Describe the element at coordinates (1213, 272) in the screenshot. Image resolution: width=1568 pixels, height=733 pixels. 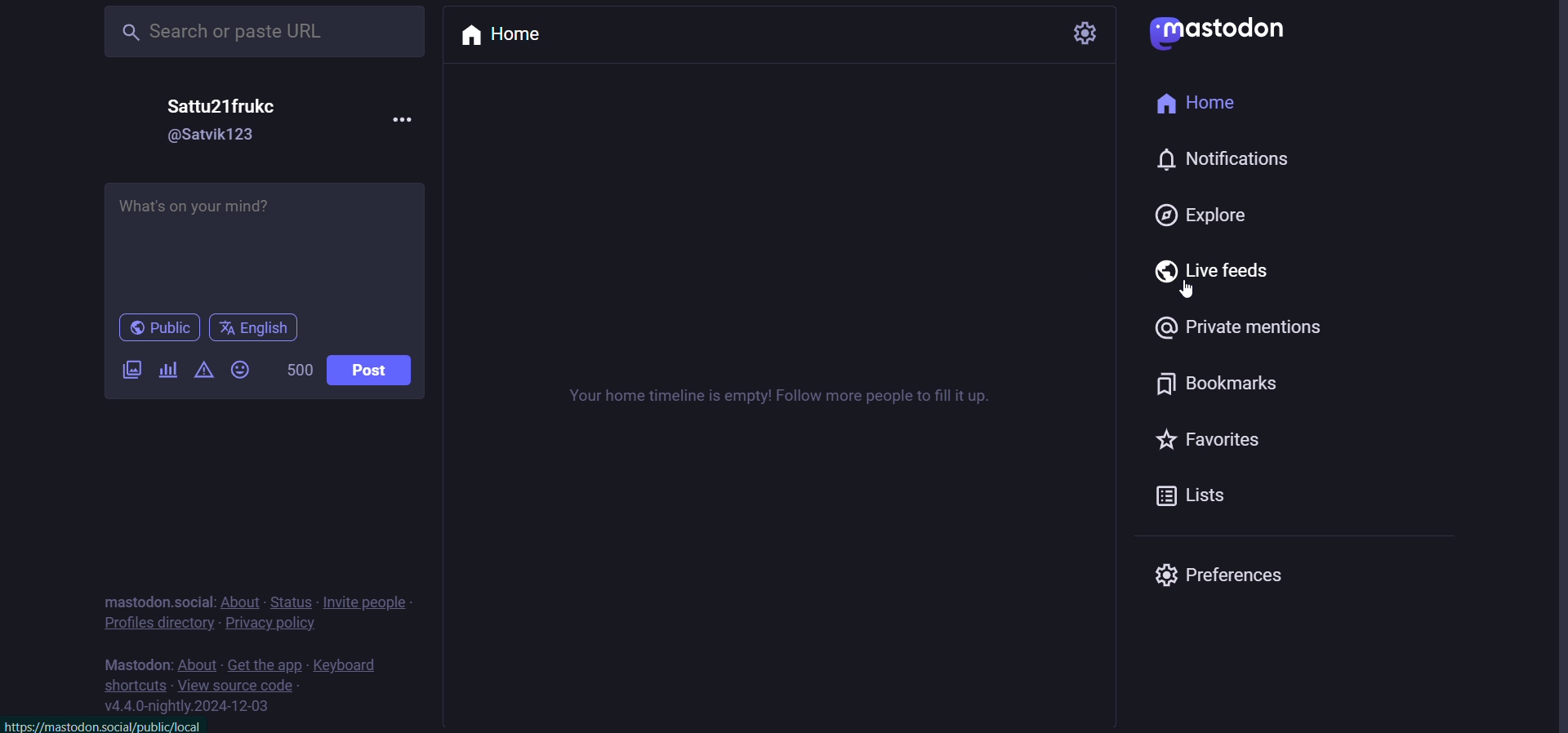
I see `live feed` at that location.